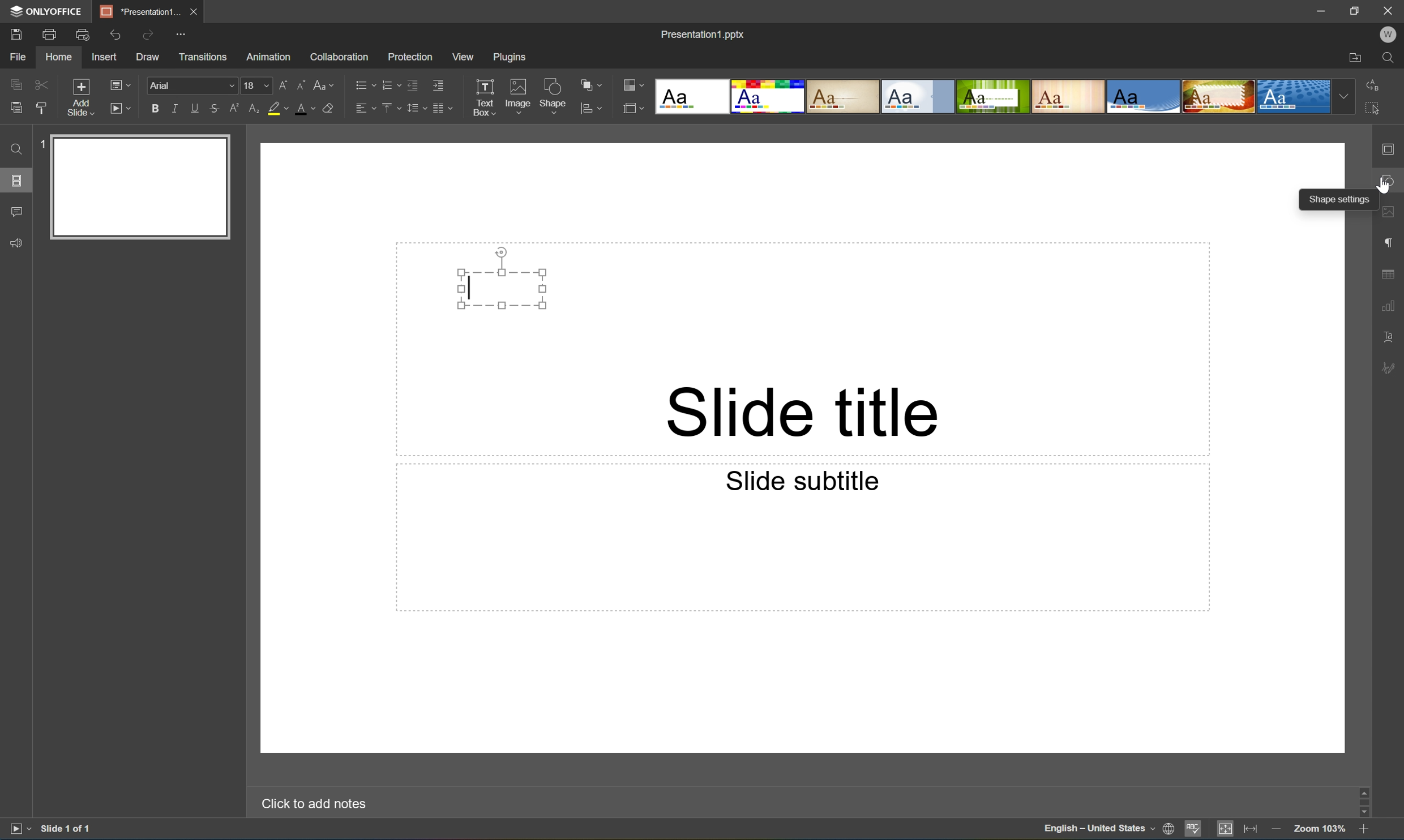  I want to click on Font color, so click(303, 108).